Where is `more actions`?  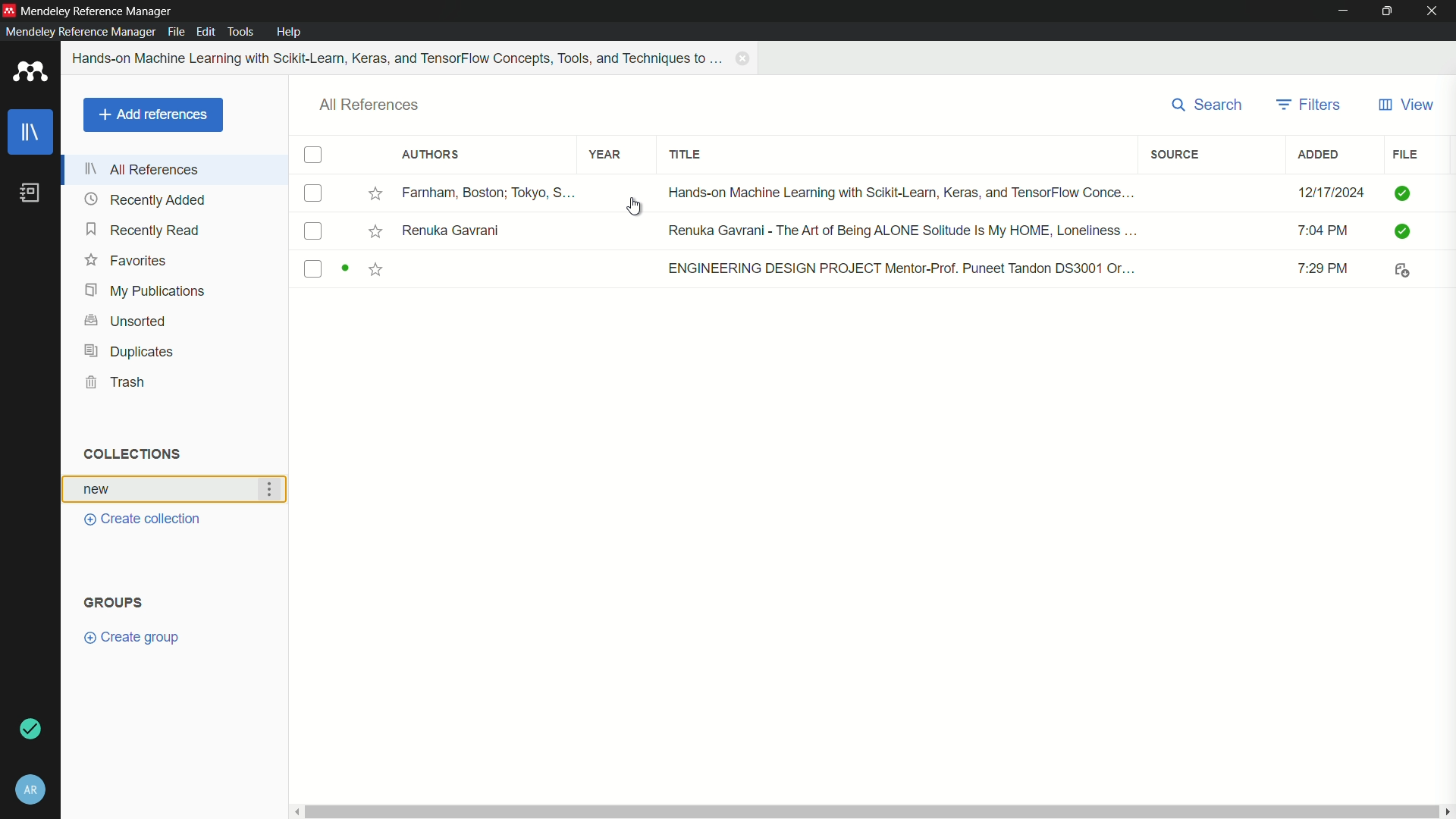
more actions is located at coordinates (271, 491).